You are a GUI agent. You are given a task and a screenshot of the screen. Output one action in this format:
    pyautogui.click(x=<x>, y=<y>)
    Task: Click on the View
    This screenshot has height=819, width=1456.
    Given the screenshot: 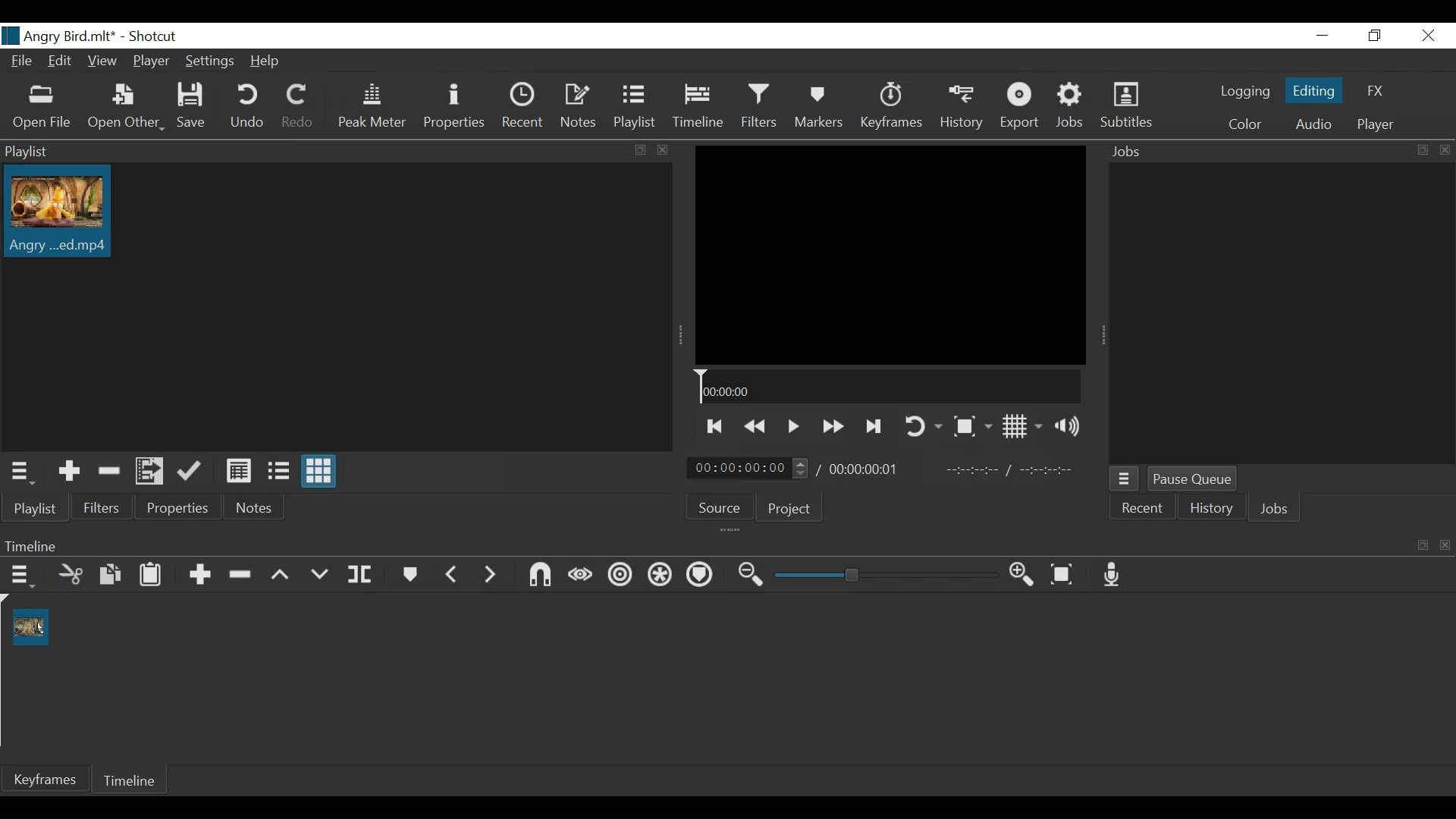 What is the action you would take?
    pyautogui.click(x=104, y=61)
    